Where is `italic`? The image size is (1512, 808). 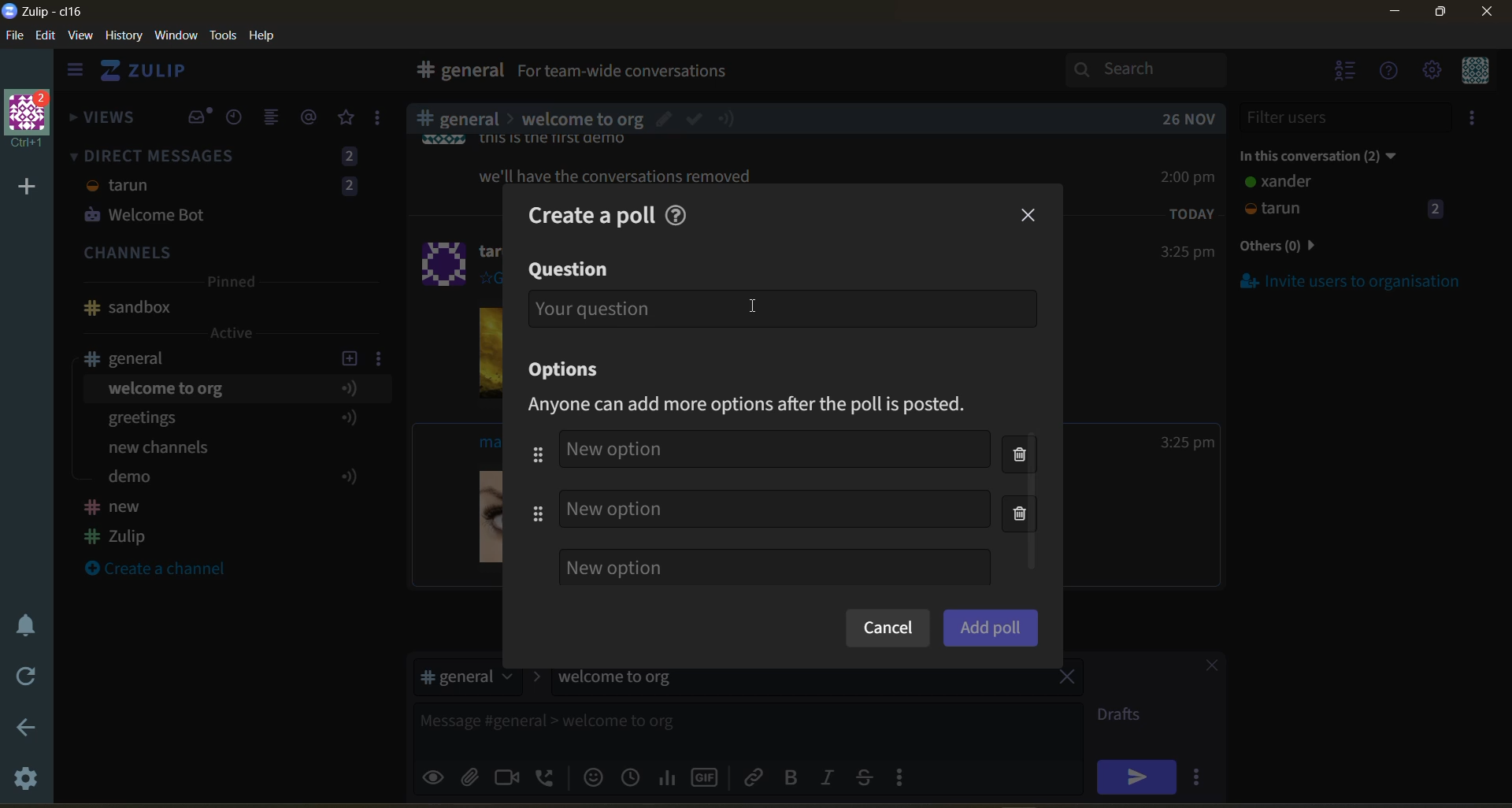
italic is located at coordinates (831, 779).